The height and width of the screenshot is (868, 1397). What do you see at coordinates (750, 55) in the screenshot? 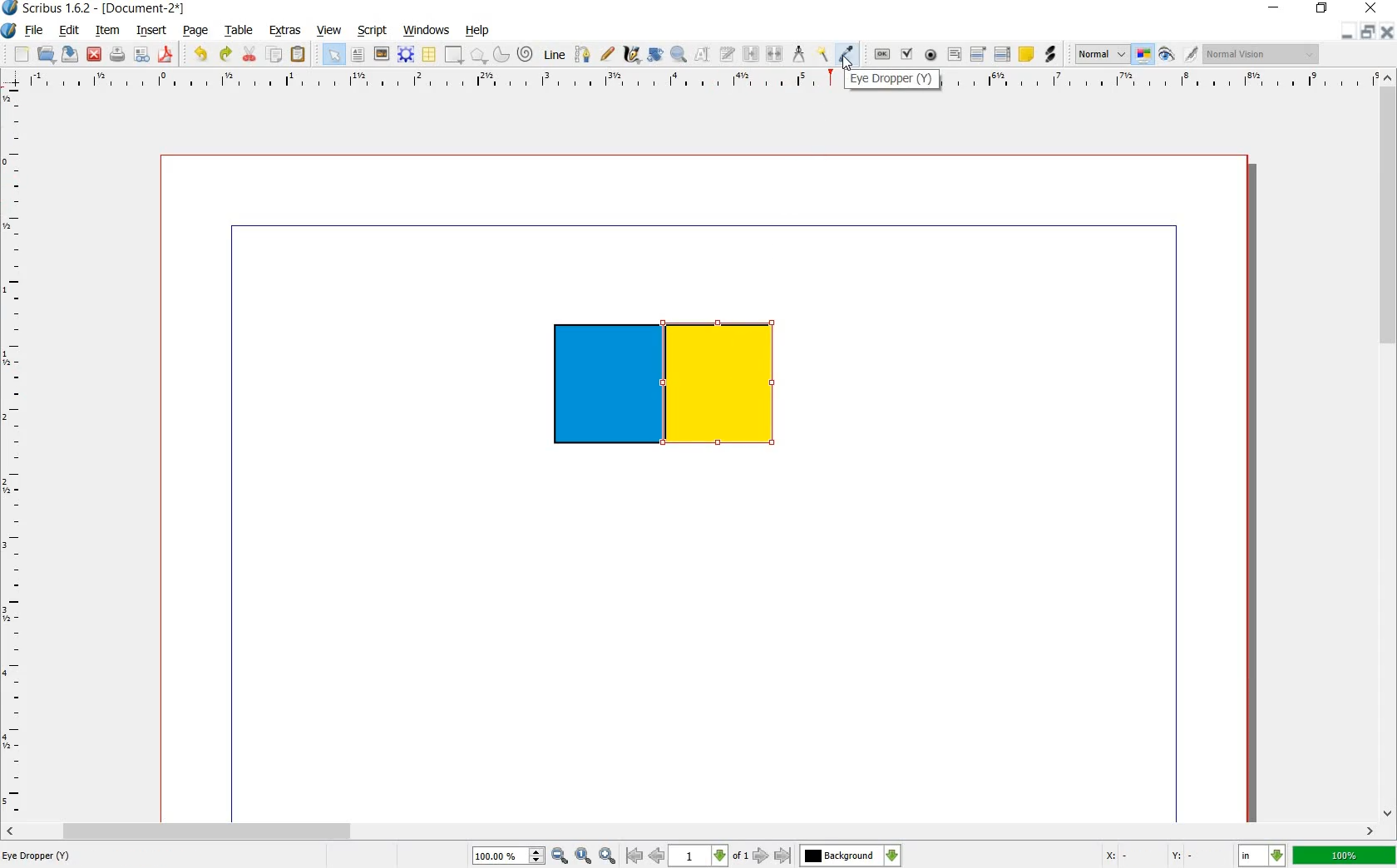
I see `link text frame` at bounding box center [750, 55].